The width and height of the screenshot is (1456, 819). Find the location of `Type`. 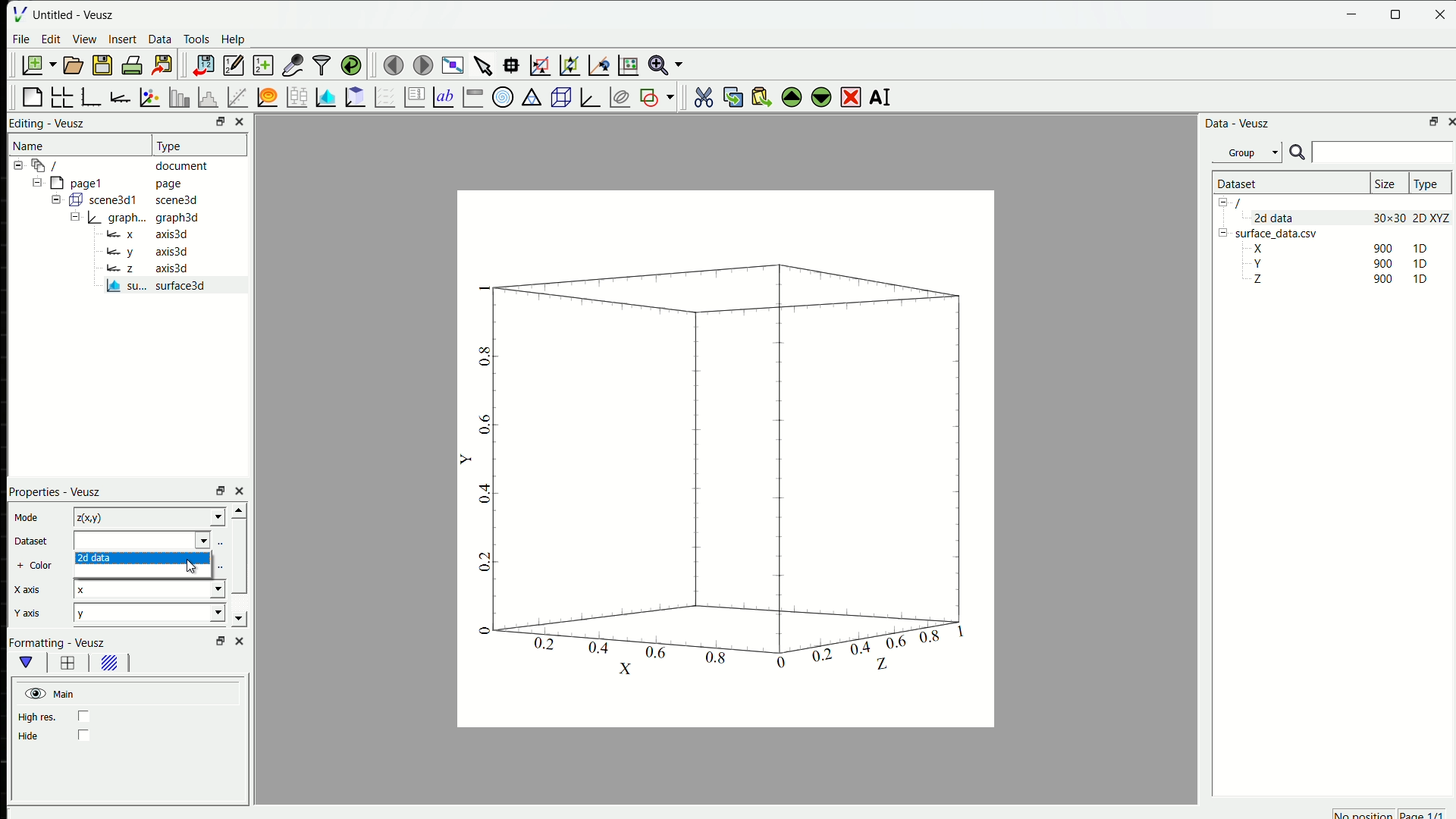

Type is located at coordinates (168, 146).